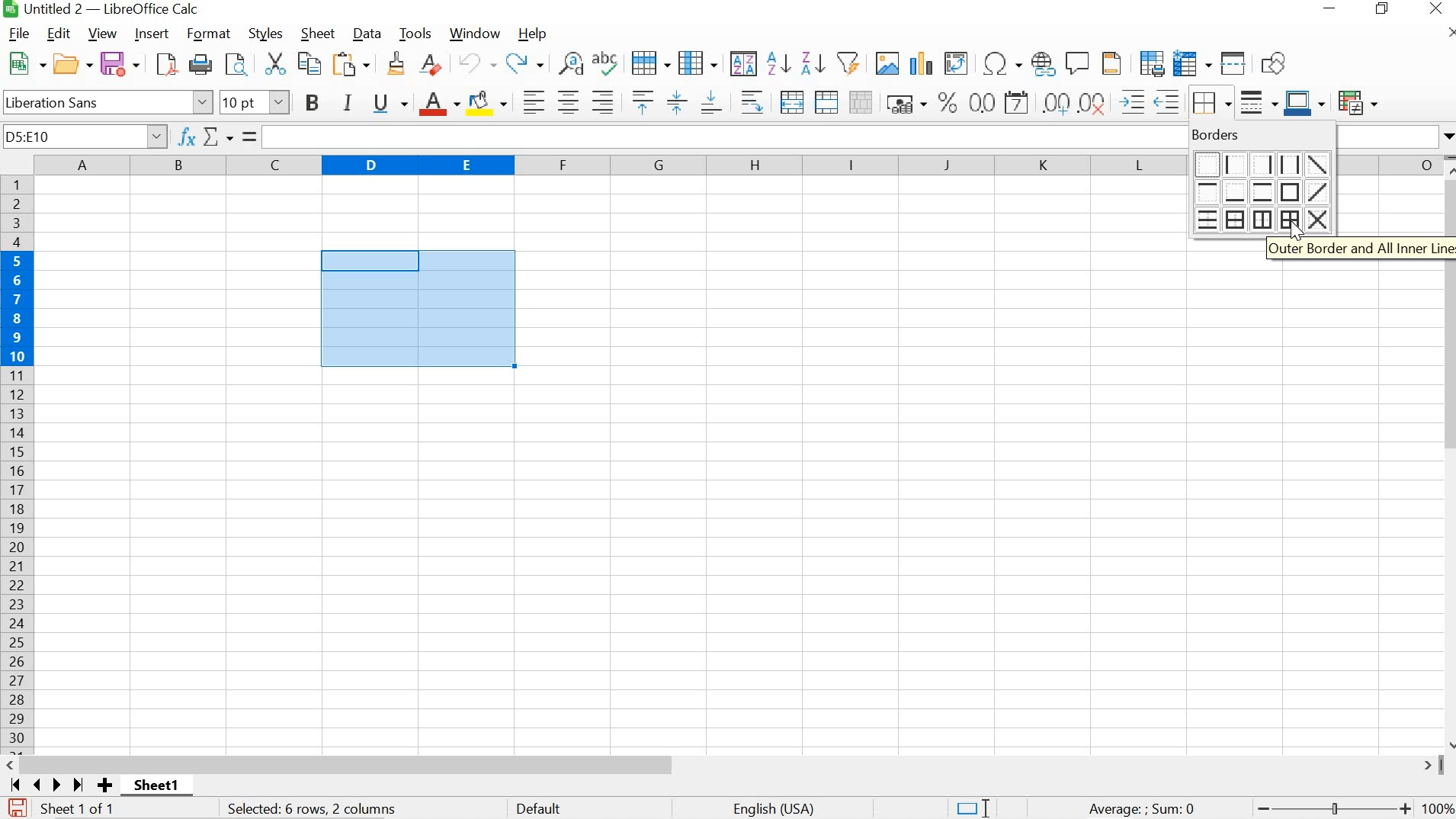 This screenshot has height=819, width=1456. I want to click on SPELLING, so click(608, 63).